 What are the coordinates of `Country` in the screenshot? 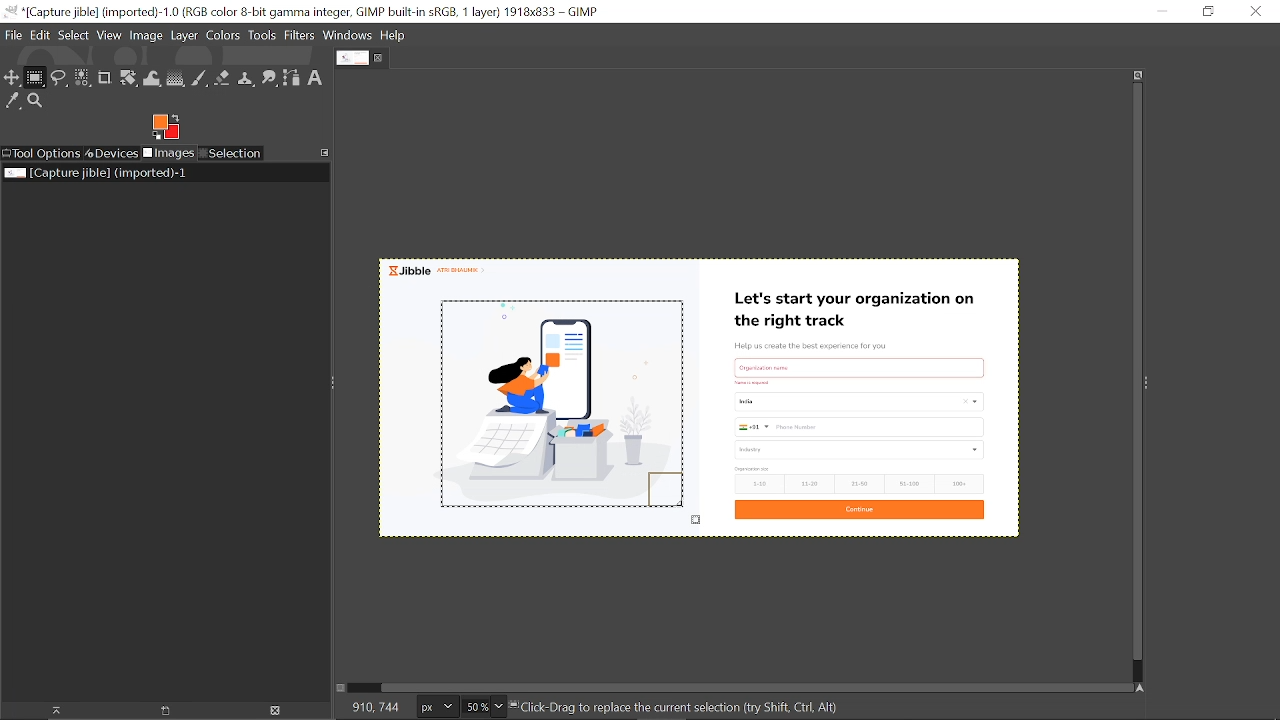 It's located at (857, 404).